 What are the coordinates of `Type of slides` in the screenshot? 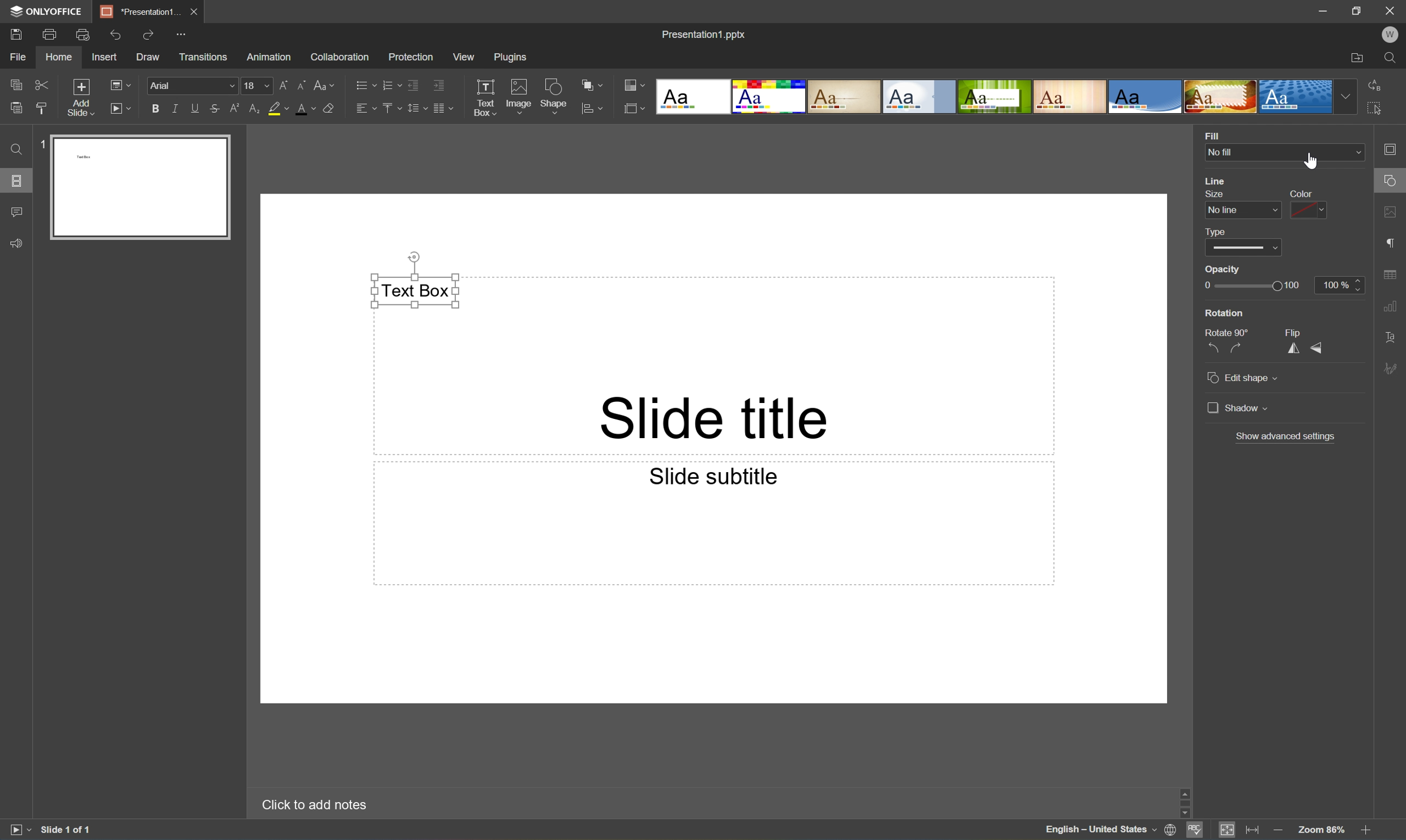 It's located at (993, 97).